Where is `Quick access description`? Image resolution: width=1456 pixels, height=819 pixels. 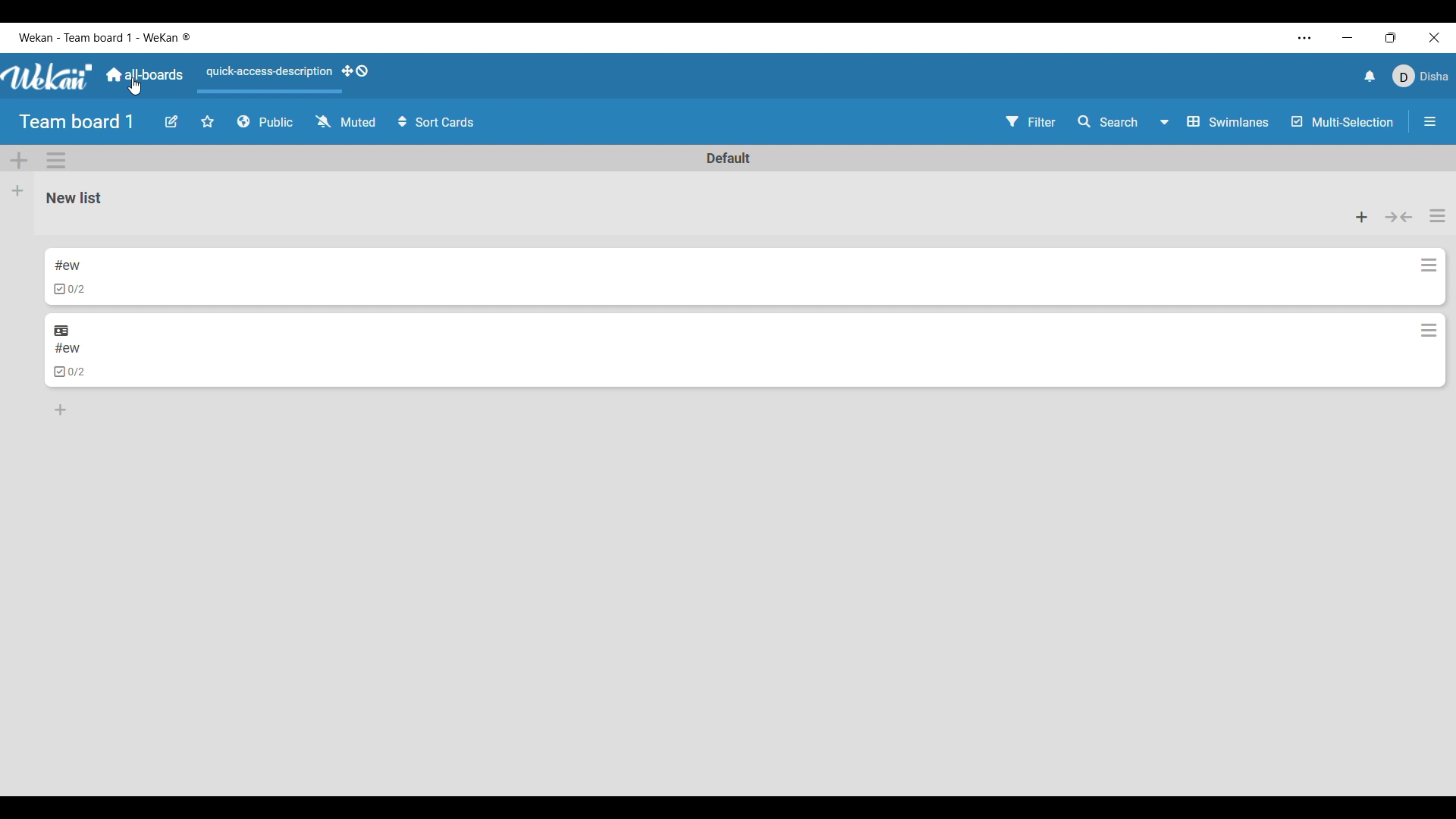
Quick access description is located at coordinates (269, 72).